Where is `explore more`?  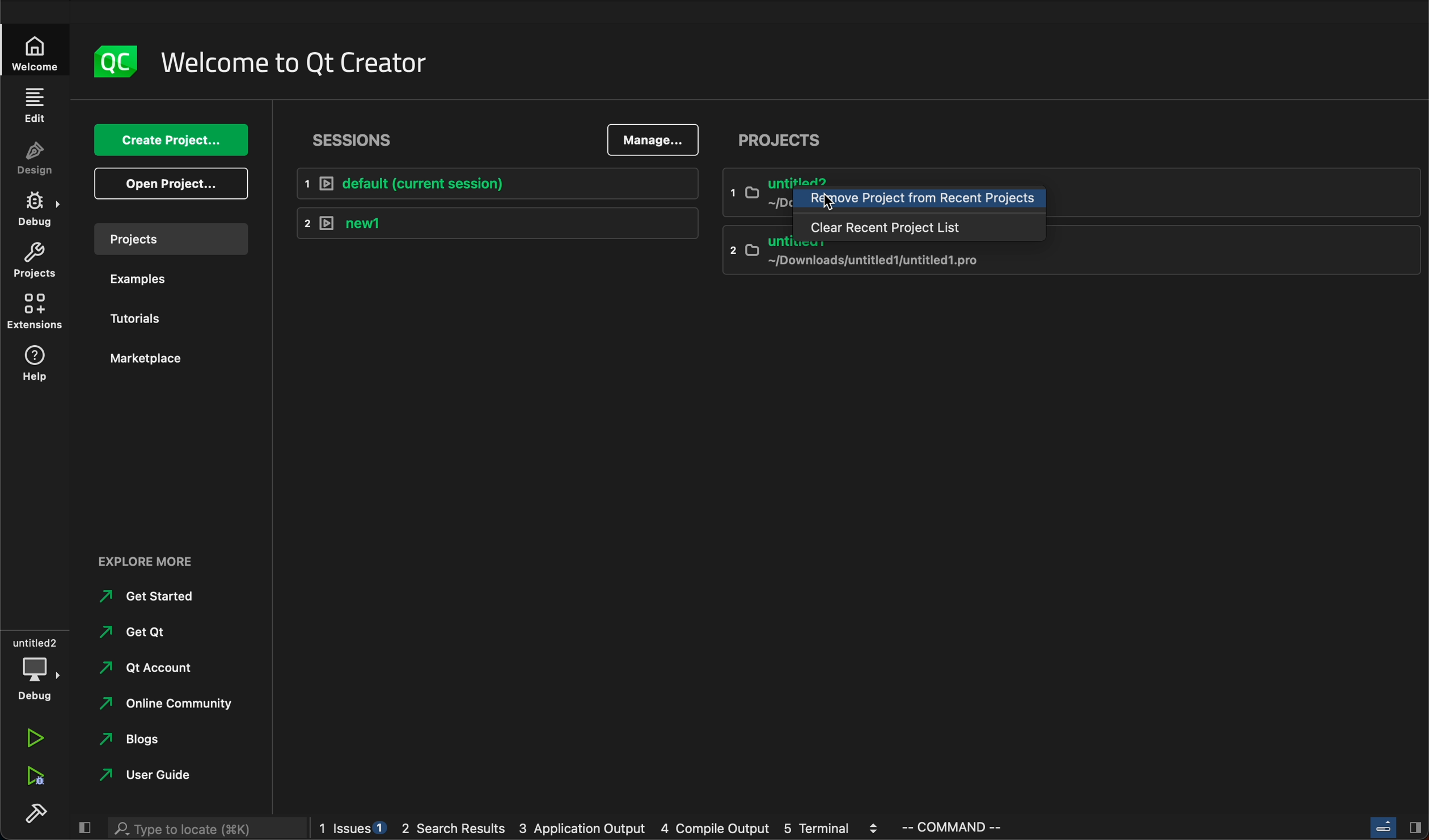
explore more is located at coordinates (149, 565).